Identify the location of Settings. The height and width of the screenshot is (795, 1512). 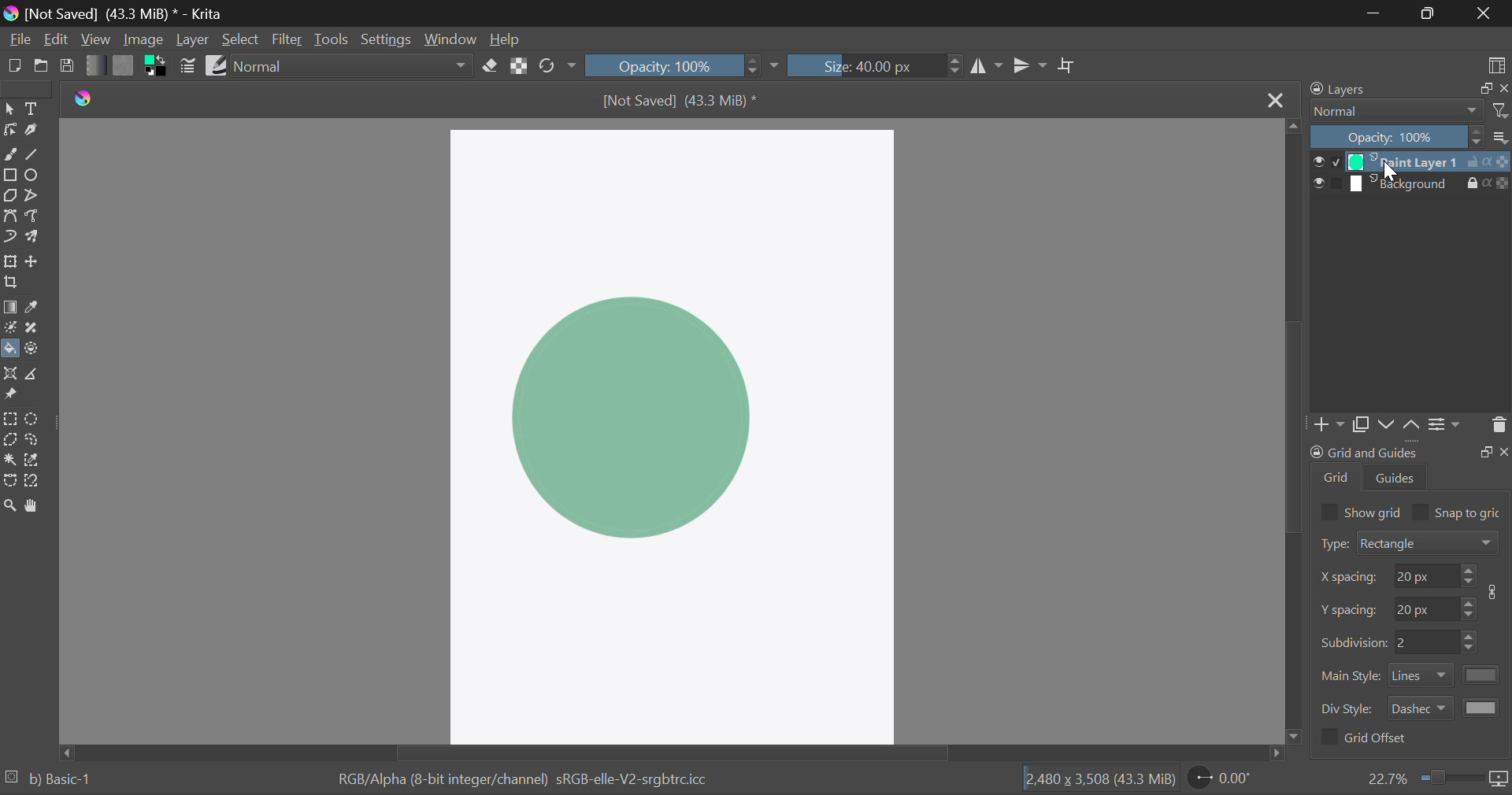
(1447, 429).